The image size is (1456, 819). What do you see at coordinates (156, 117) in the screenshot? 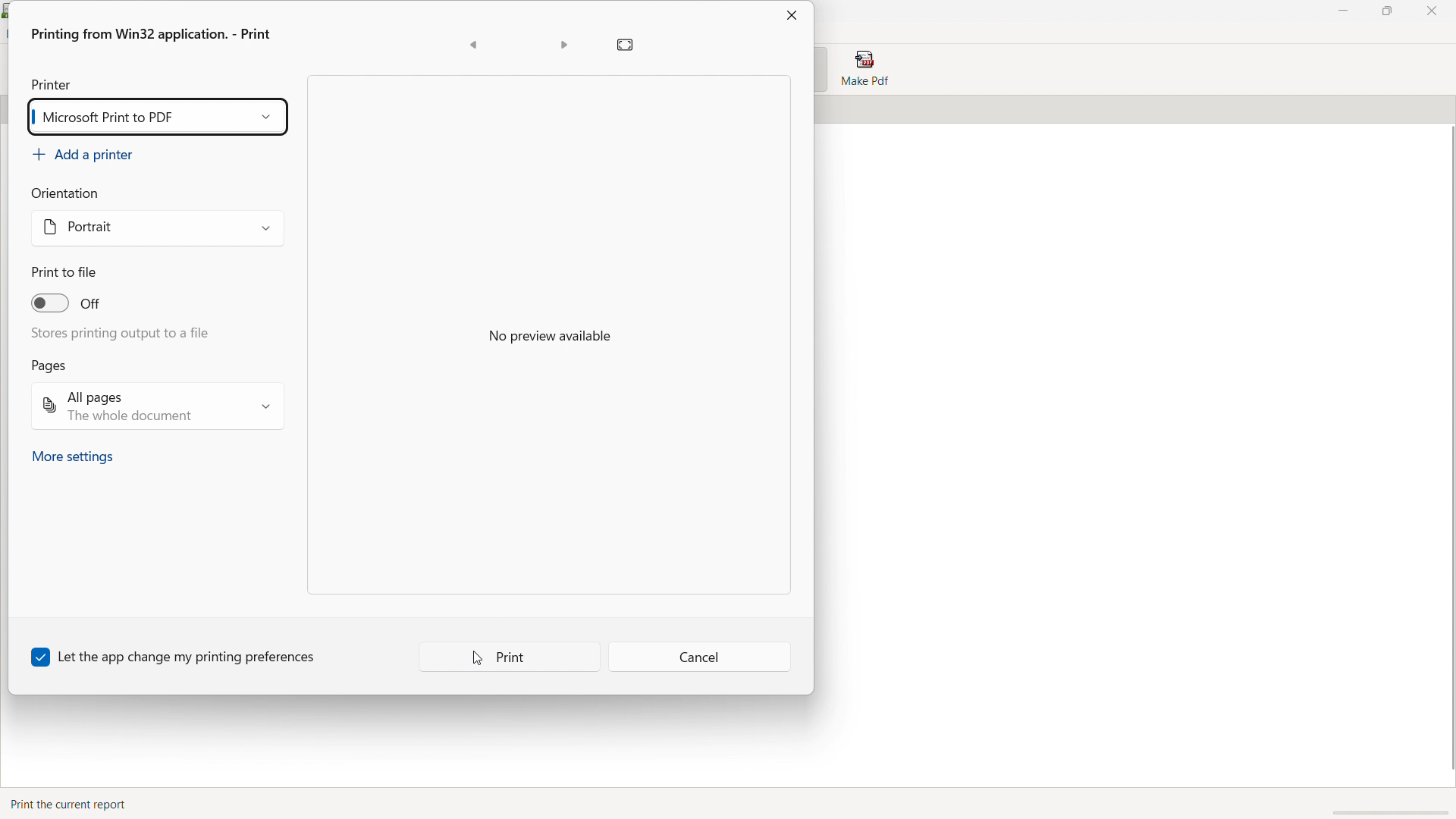
I see `microsoft print to pdf` at bounding box center [156, 117].